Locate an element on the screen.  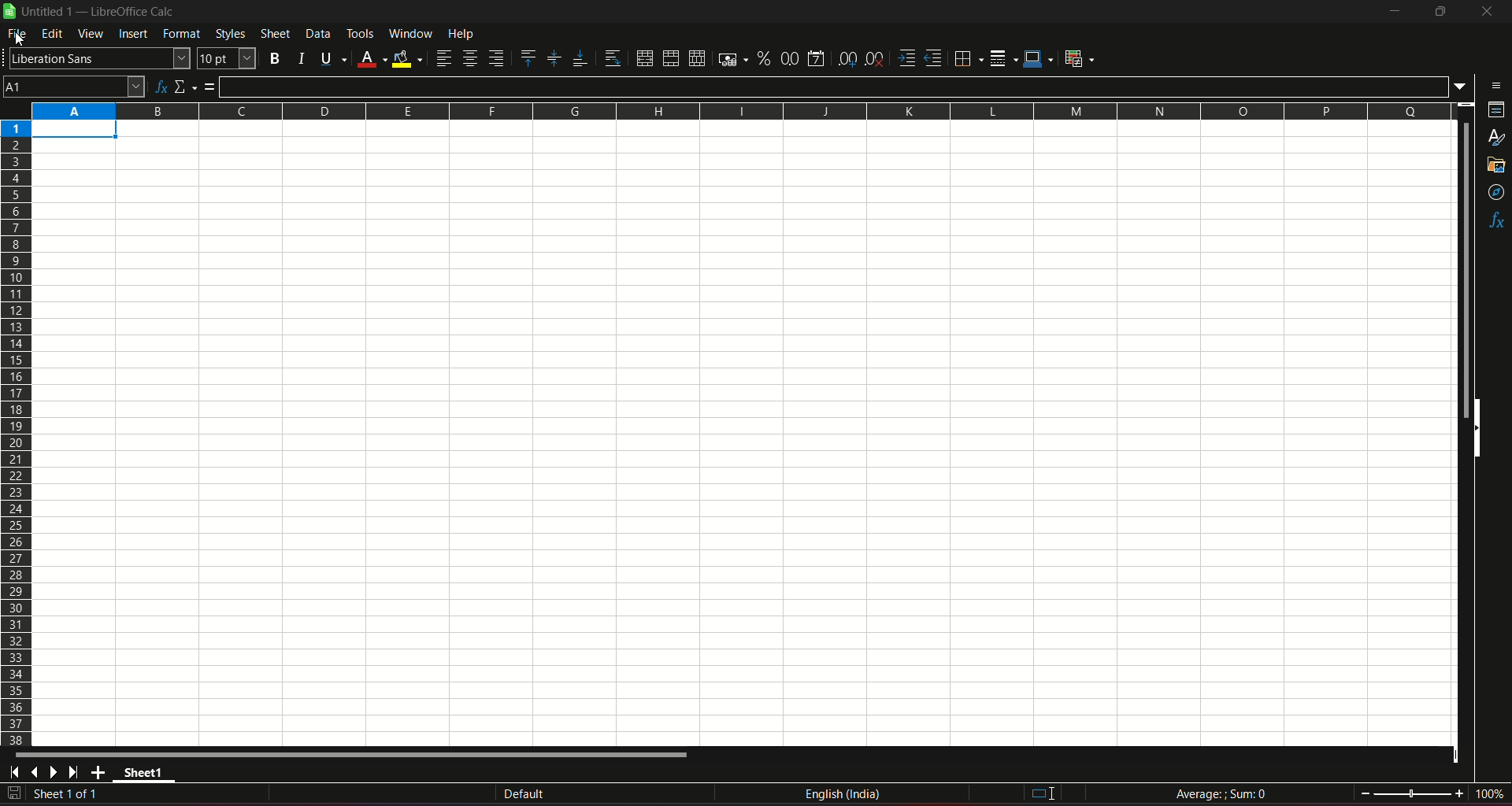
Format is located at coordinates (181, 35).